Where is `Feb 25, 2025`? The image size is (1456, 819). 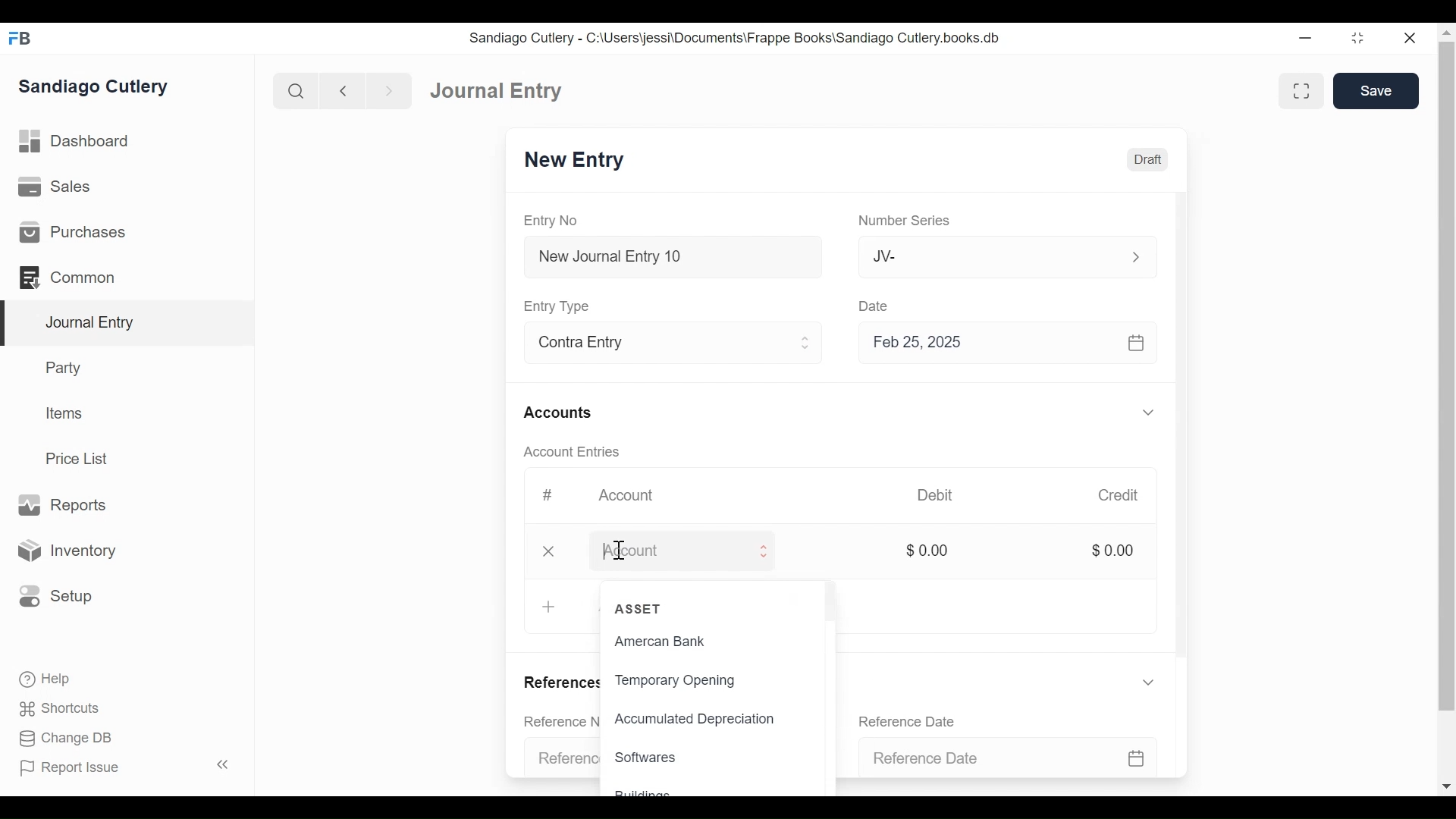
Feb 25, 2025 is located at coordinates (1004, 344).